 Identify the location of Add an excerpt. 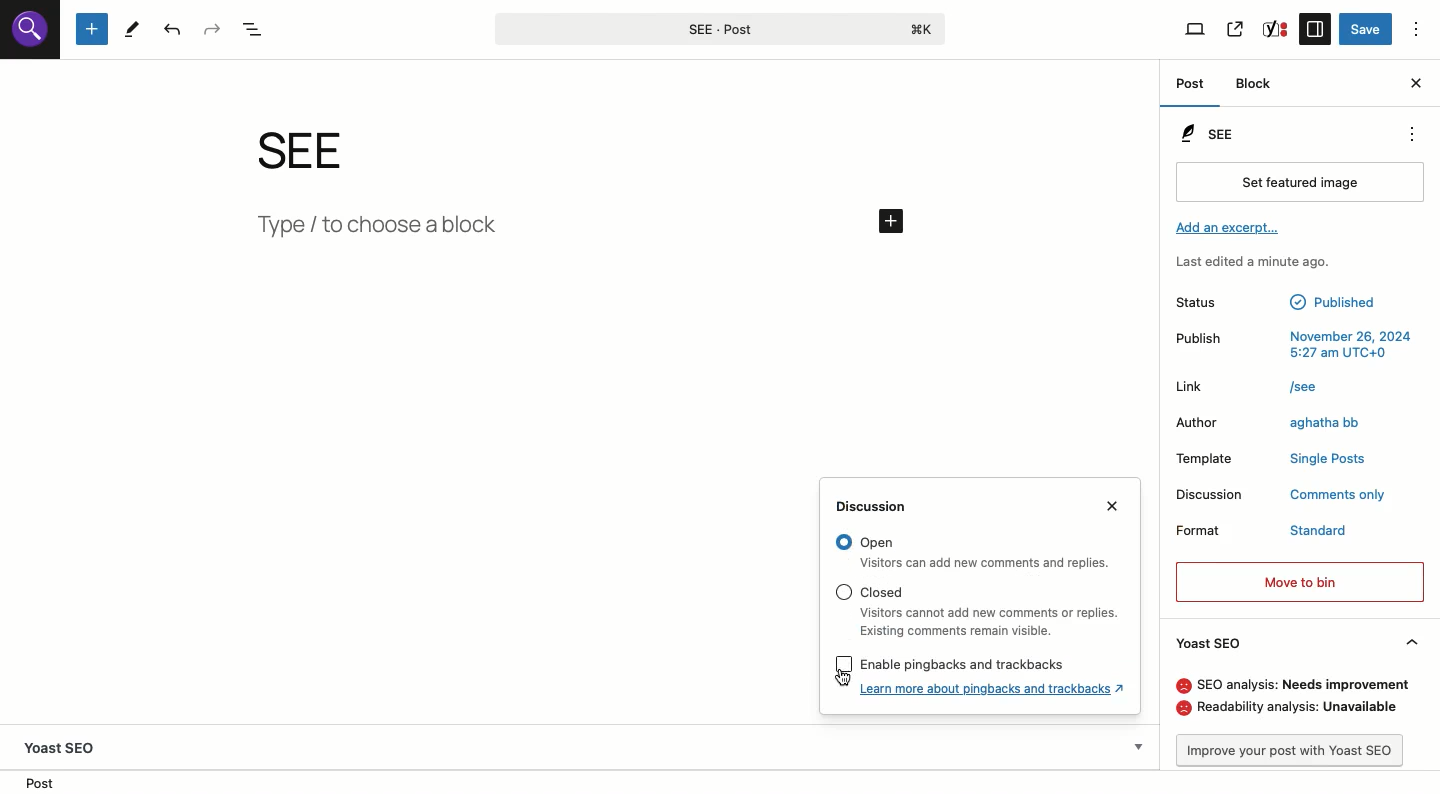
(1231, 228).